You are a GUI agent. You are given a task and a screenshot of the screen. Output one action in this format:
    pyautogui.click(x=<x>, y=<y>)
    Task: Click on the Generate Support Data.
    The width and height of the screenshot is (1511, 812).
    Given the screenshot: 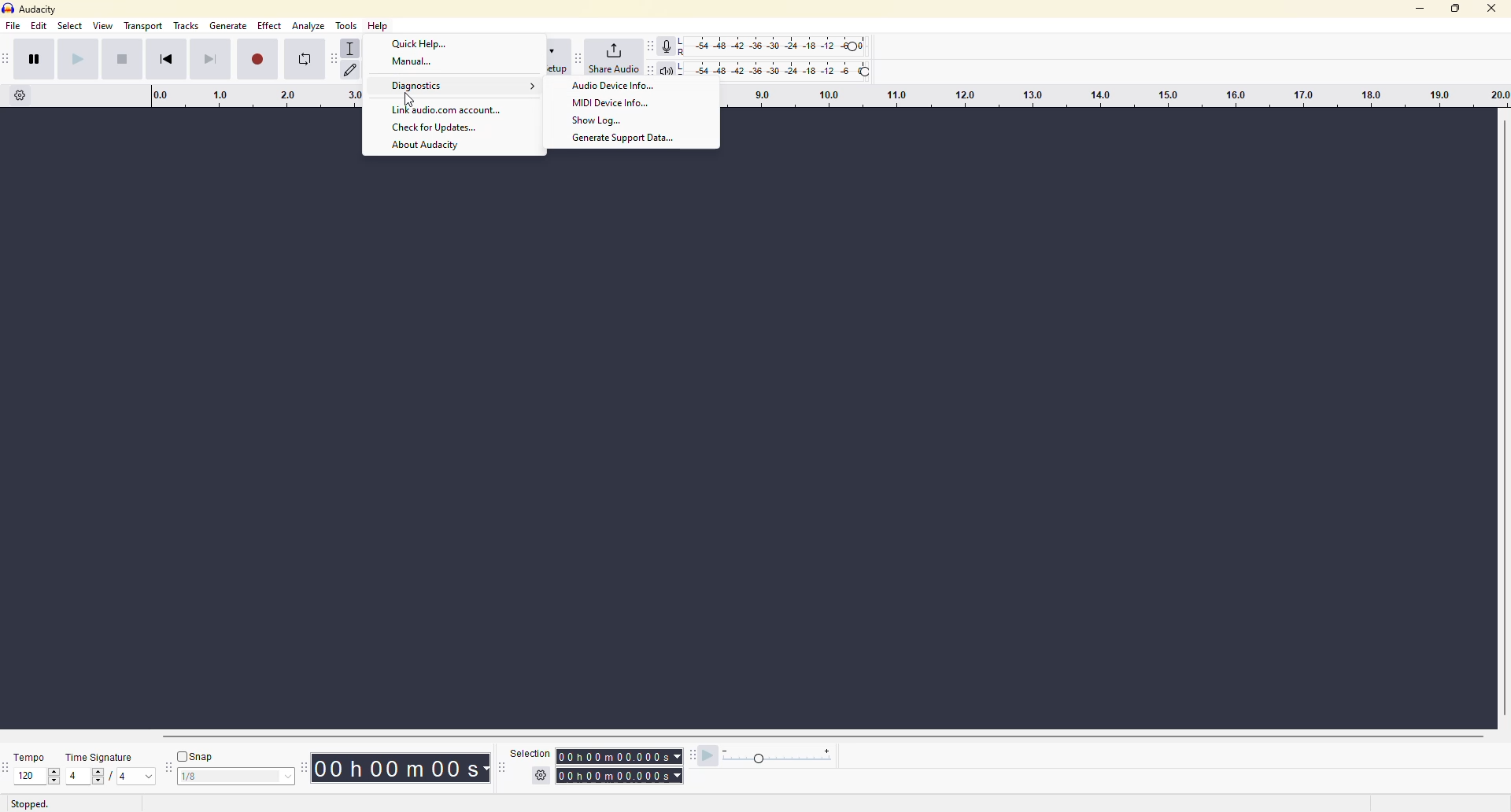 What is the action you would take?
    pyautogui.click(x=630, y=139)
    